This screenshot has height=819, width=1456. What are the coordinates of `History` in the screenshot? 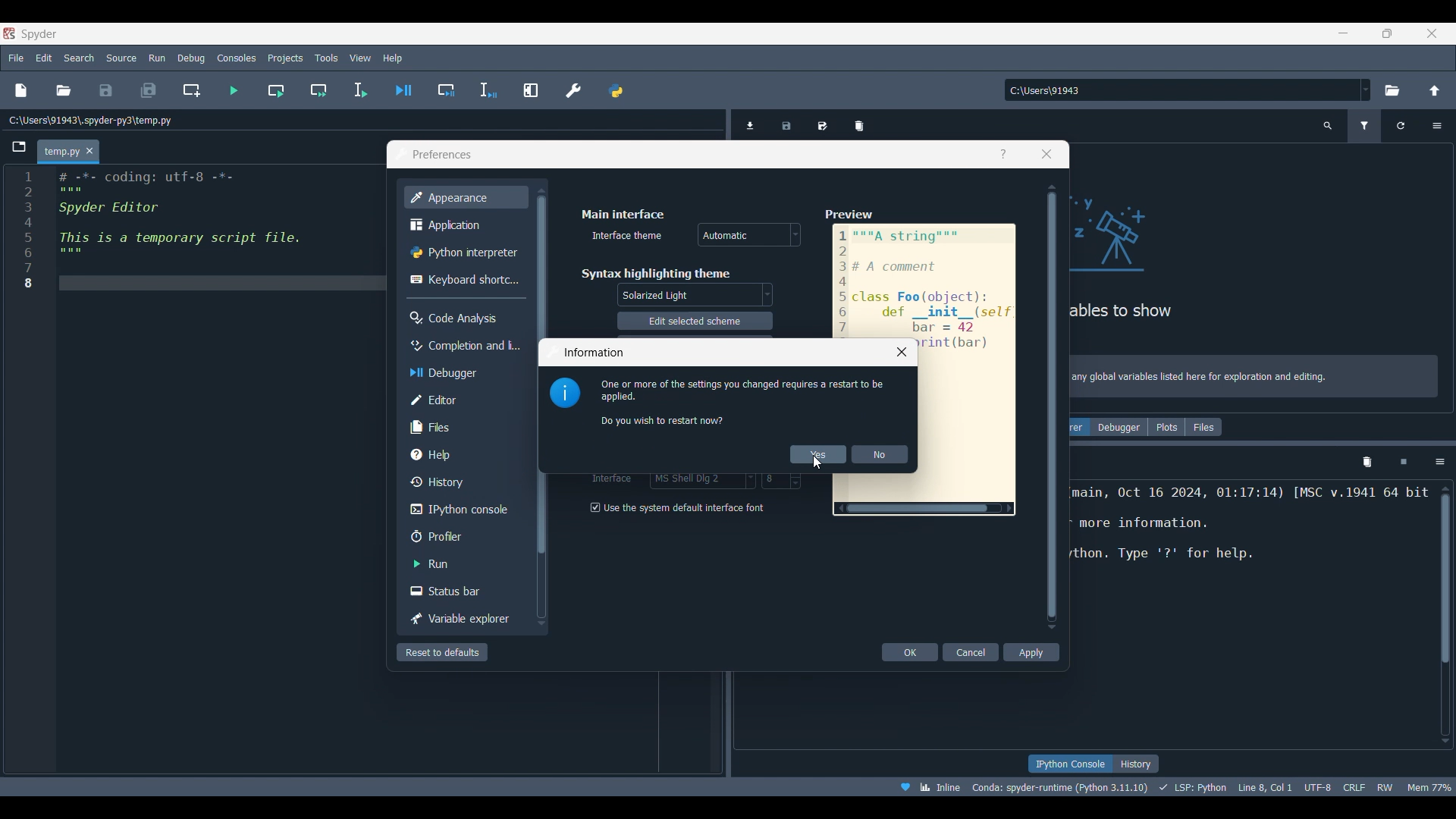 It's located at (464, 482).